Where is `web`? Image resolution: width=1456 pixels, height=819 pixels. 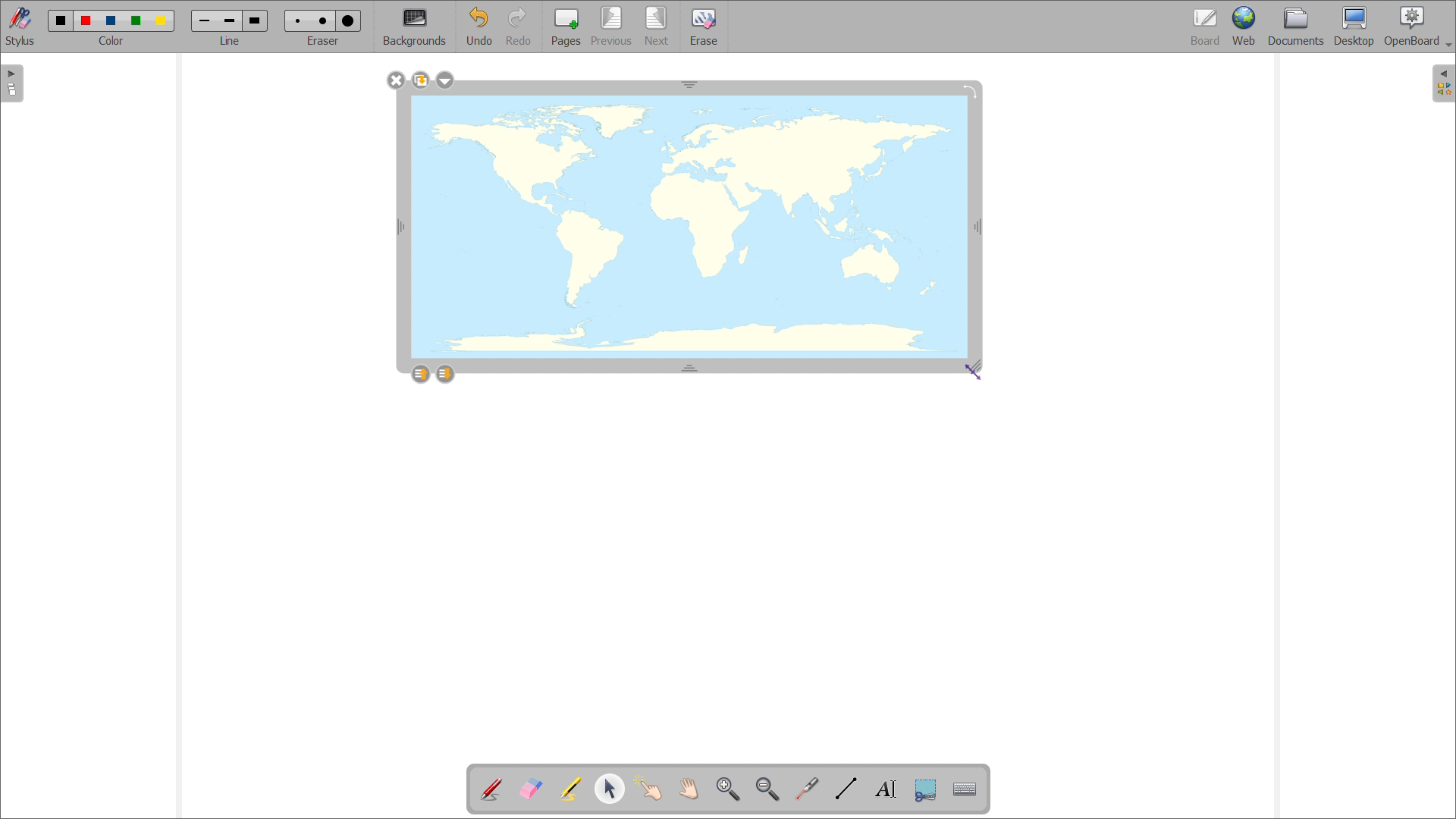
web is located at coordinates (1246, 27).